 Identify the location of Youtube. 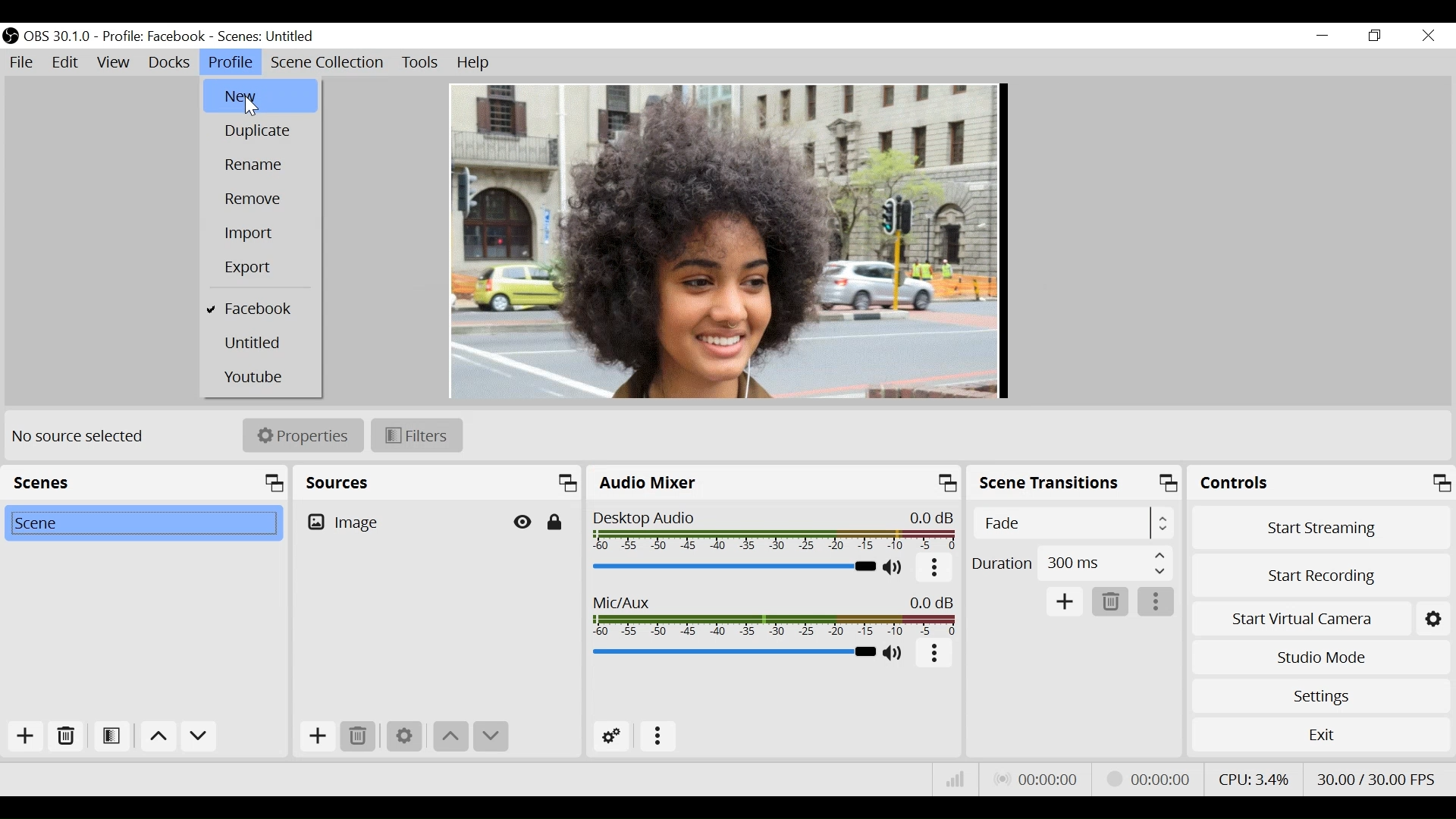
(260, 375).